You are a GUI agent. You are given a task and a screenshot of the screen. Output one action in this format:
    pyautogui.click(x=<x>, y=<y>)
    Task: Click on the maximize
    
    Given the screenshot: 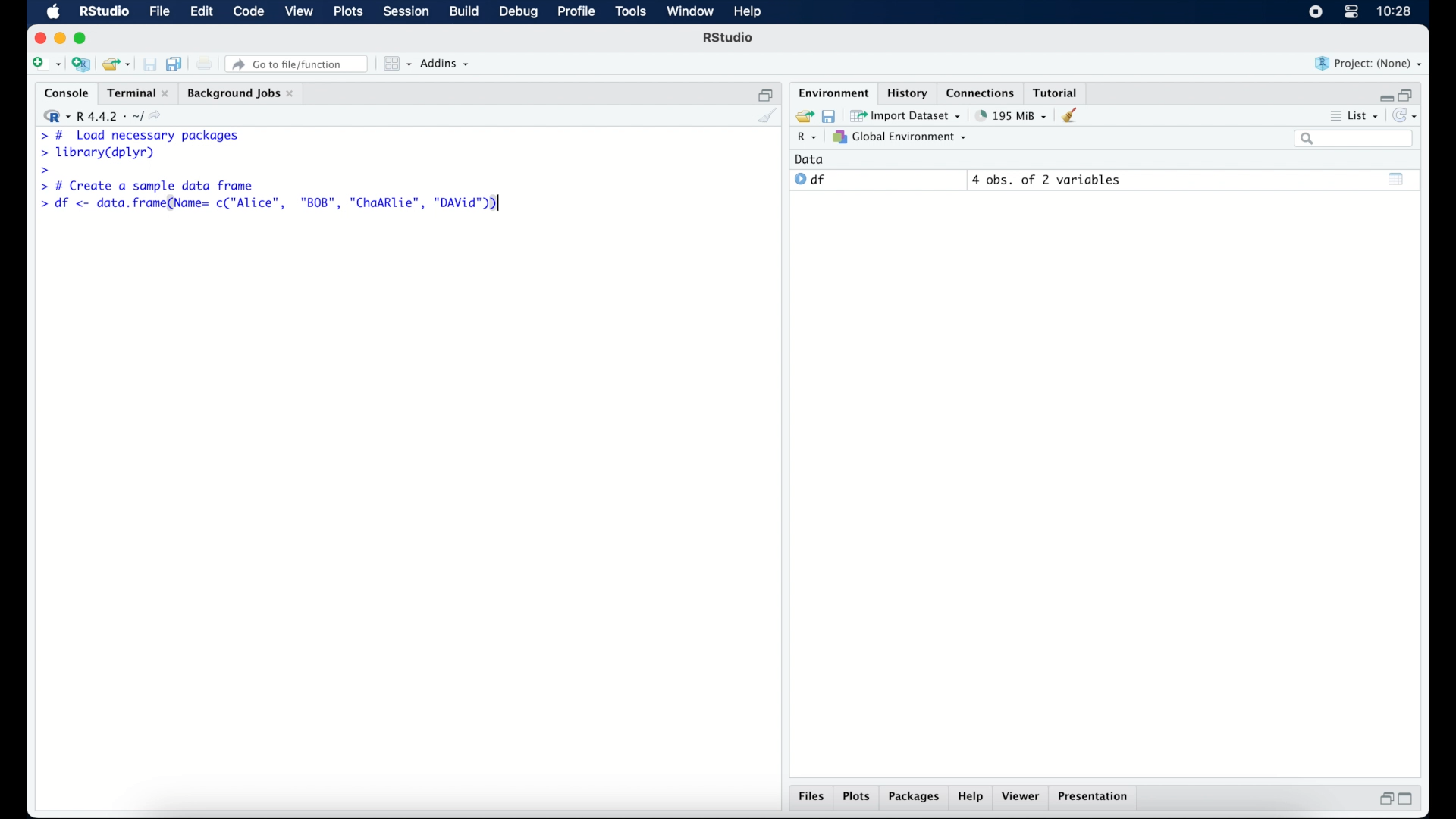 What is the action you would take?
    pyautogui.click(x=1410, y=799)
    